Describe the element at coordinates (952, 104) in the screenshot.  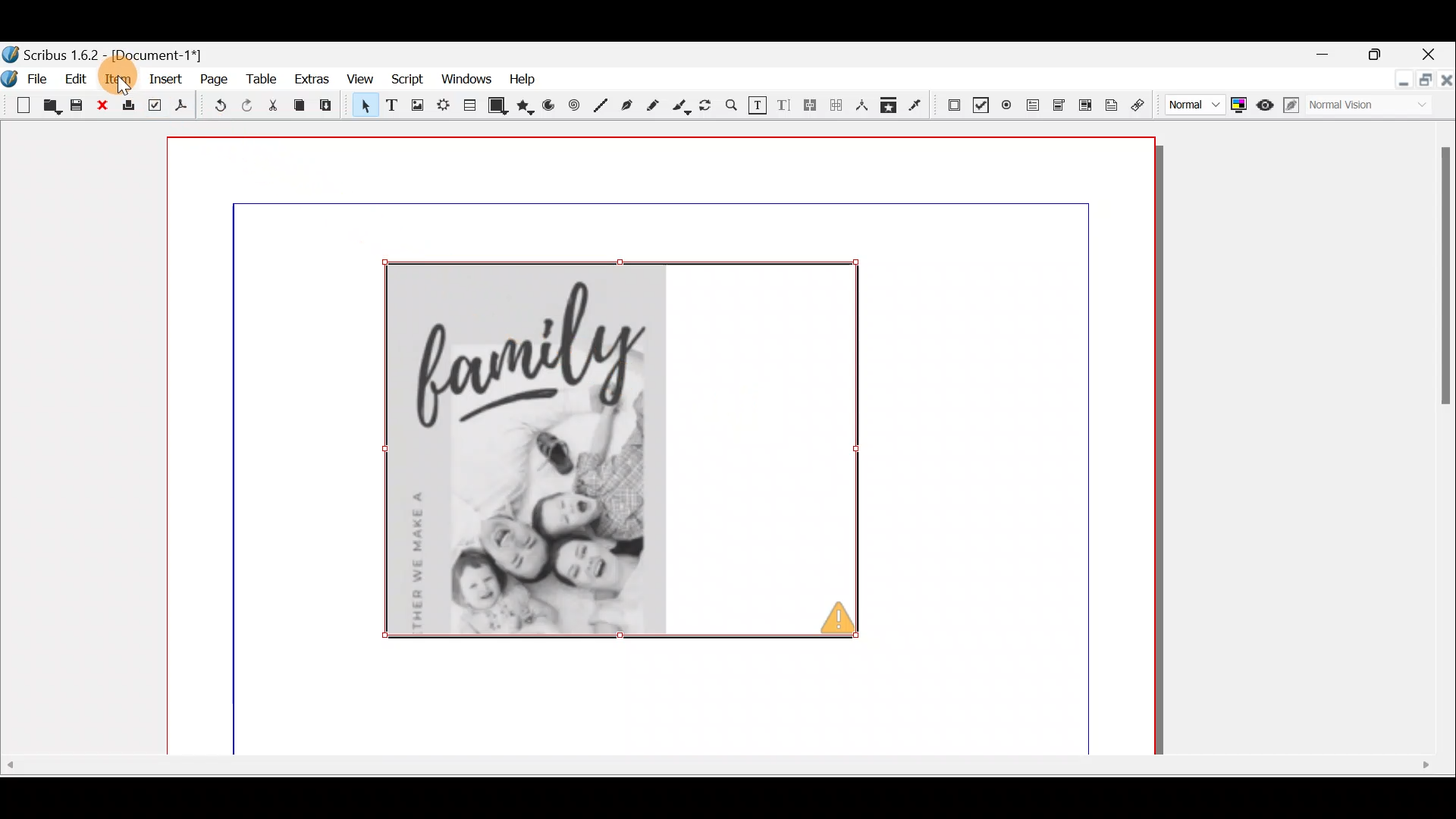
I see `PDF Push button` at that location.